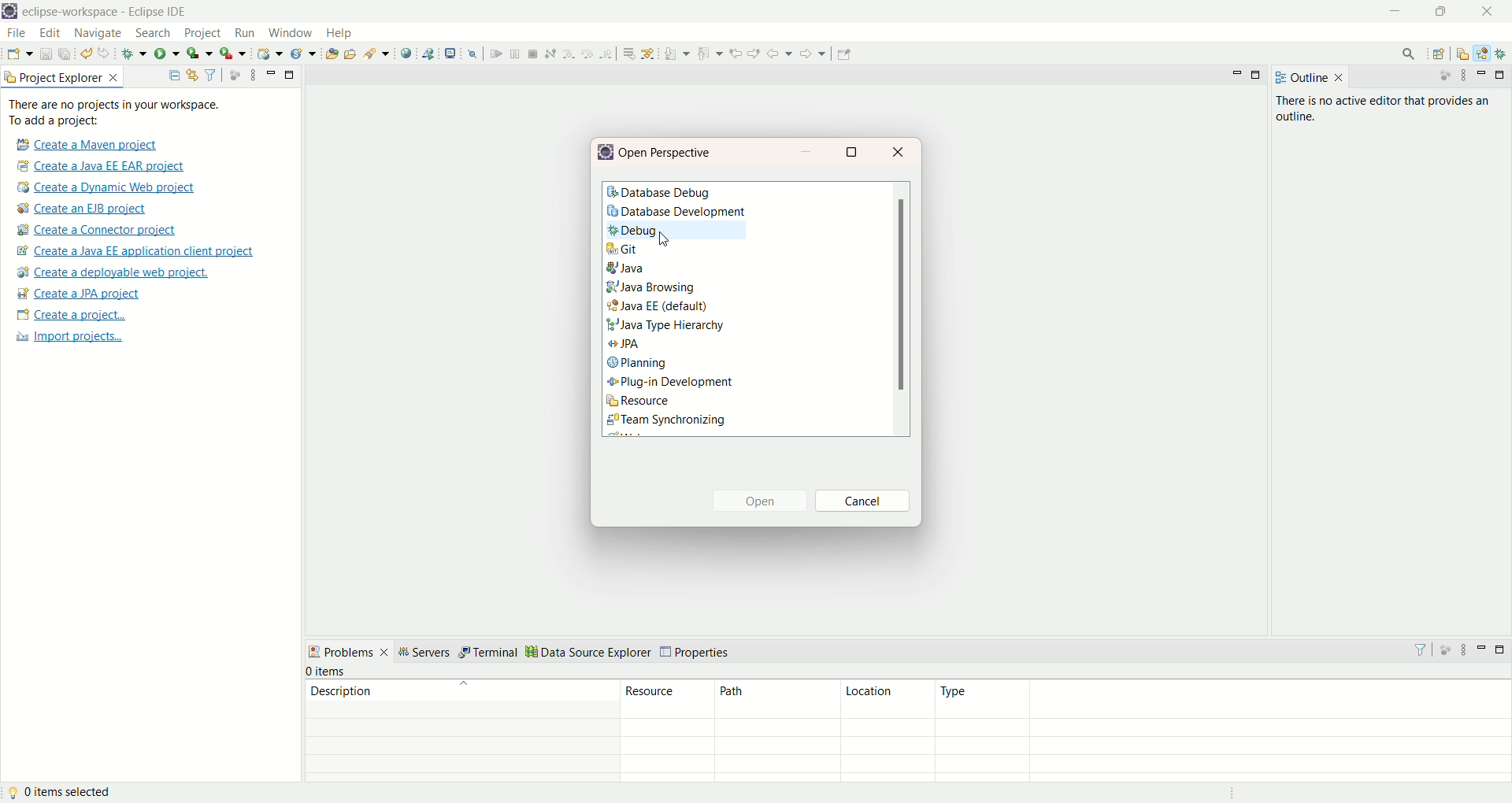 This screenshot has height=803, width=1512. I want to click on terminal, so click(488, 651).